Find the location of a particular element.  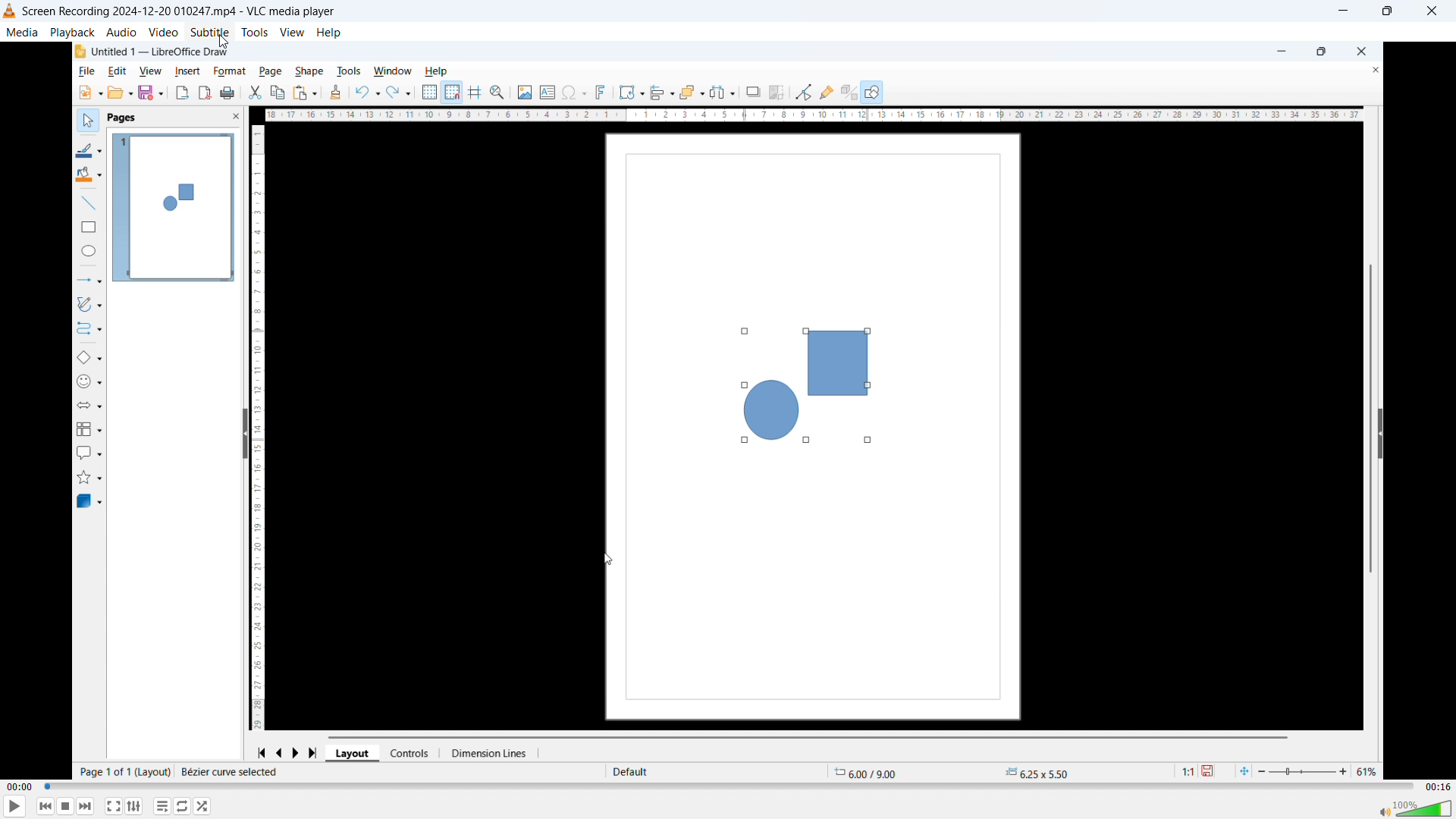

3d object is located at coordinates (90, 502).